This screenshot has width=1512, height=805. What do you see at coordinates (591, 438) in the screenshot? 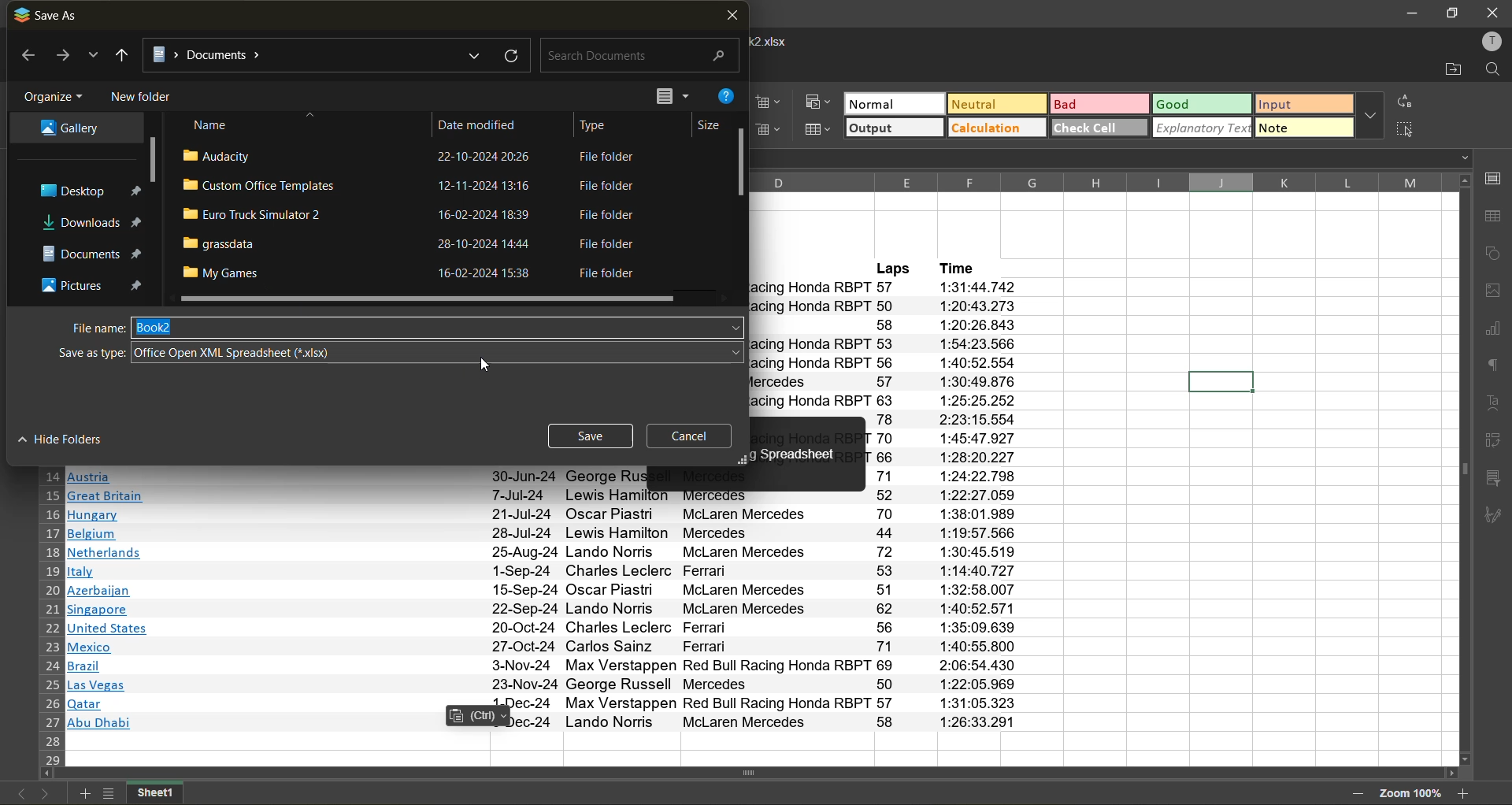
I see `save` at bounding box center [591, 438].